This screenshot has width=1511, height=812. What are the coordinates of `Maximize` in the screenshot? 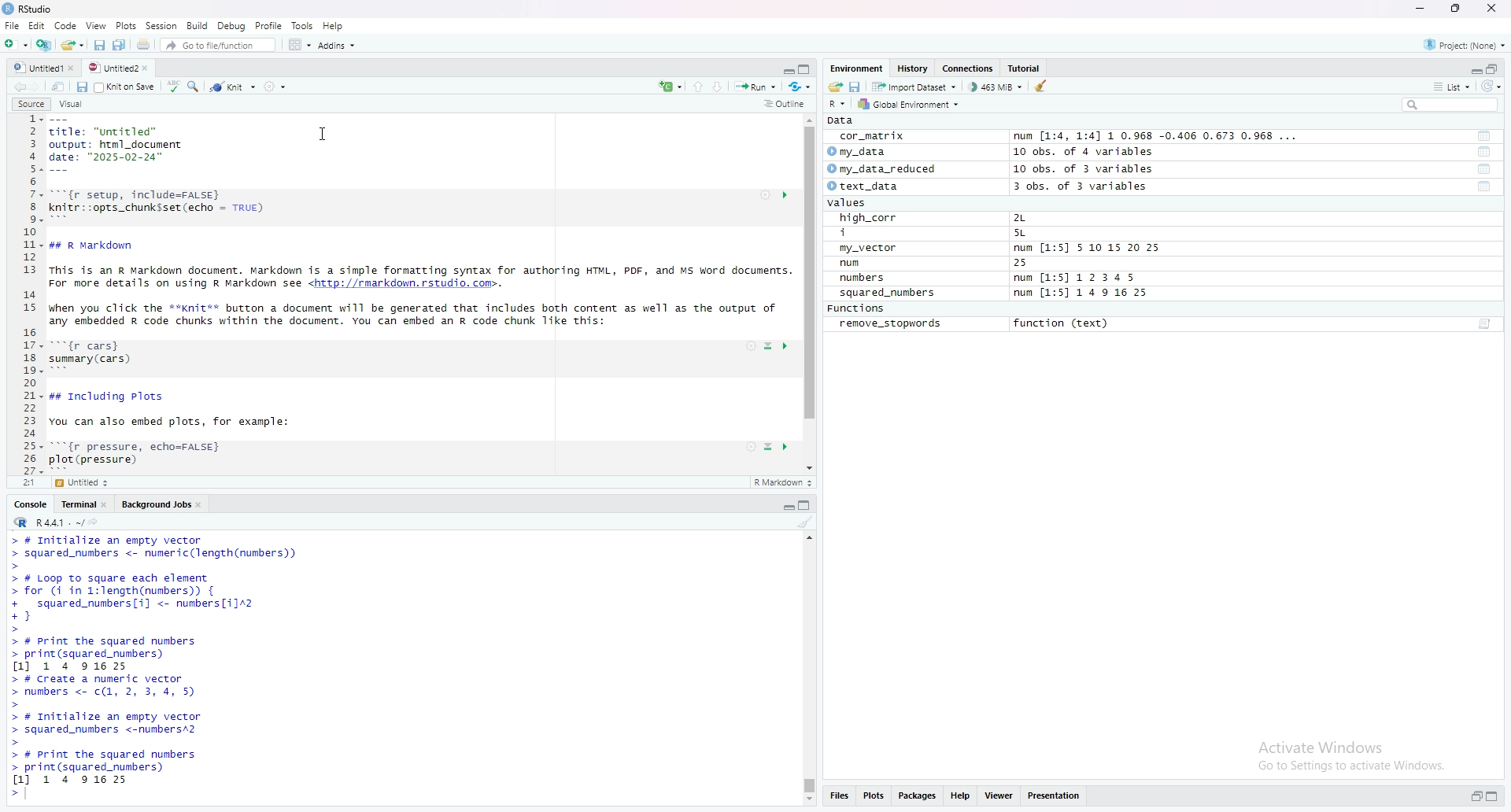 It's located at (1457, 8).